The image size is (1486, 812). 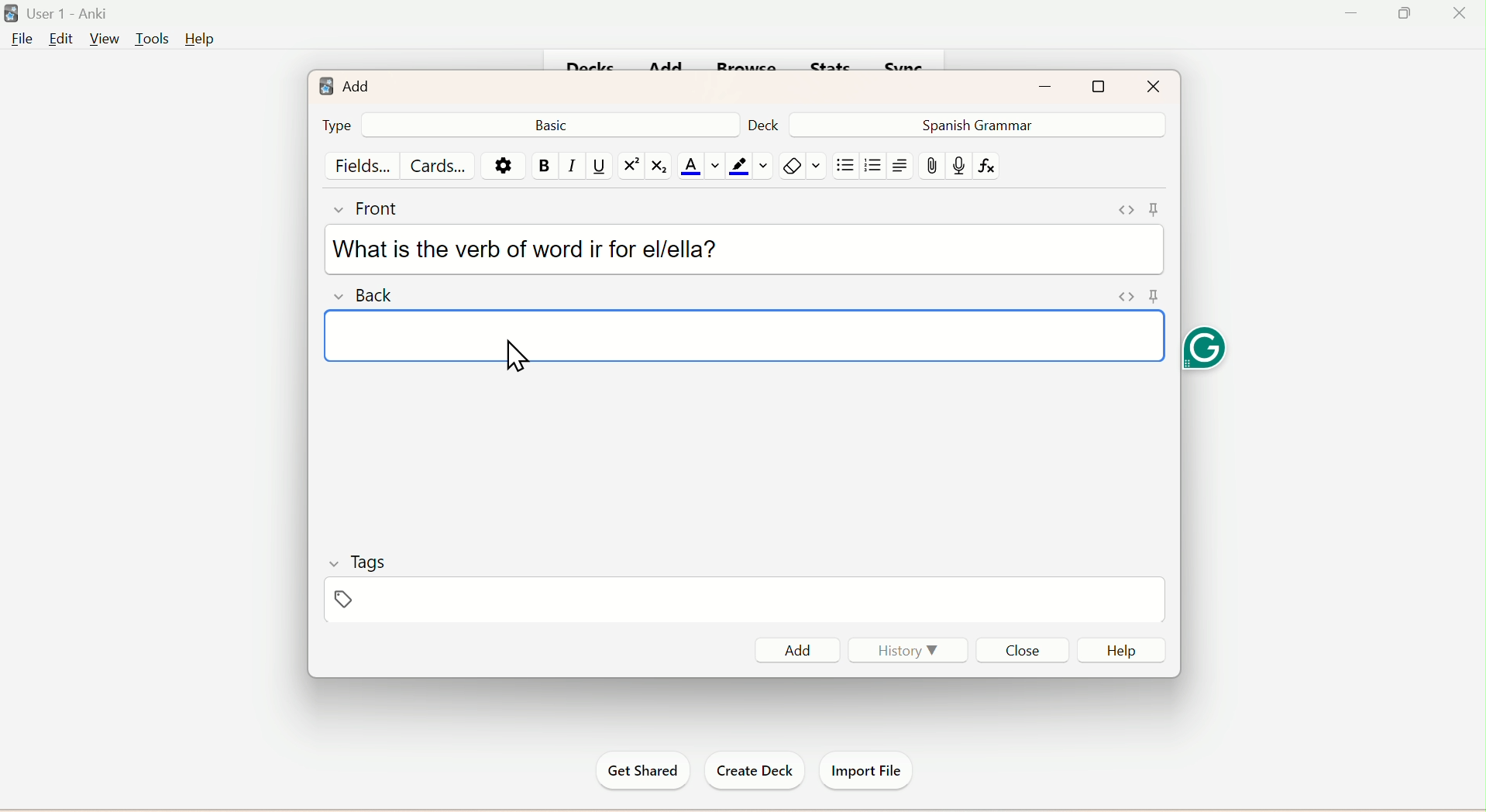 I want to click on Text Alignment, so click(x=900, y=166).